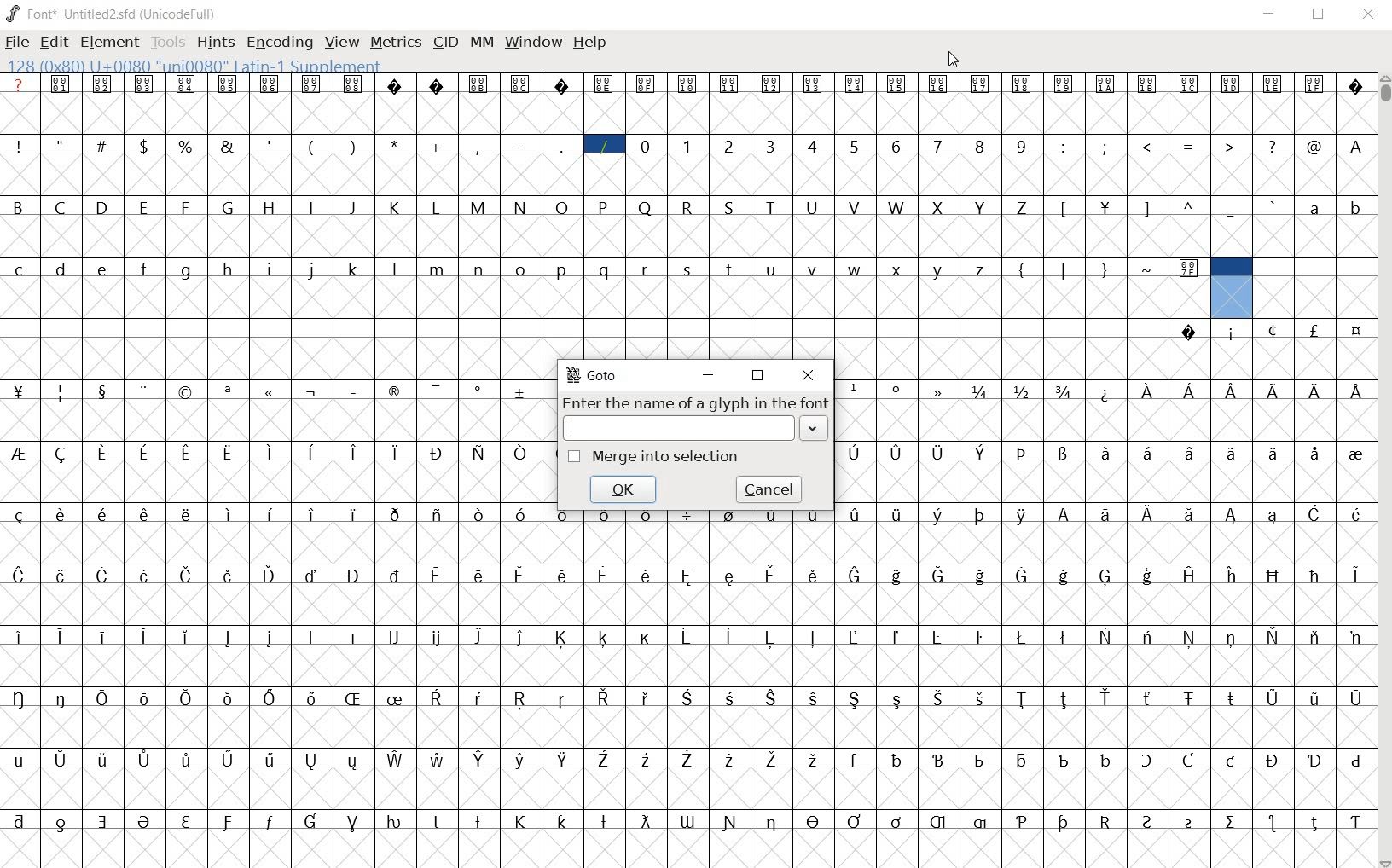 This screenshot has height=868, width=1392. Describe the element at coordinates (20, 85) in the screenshot. I see `?` at that location.